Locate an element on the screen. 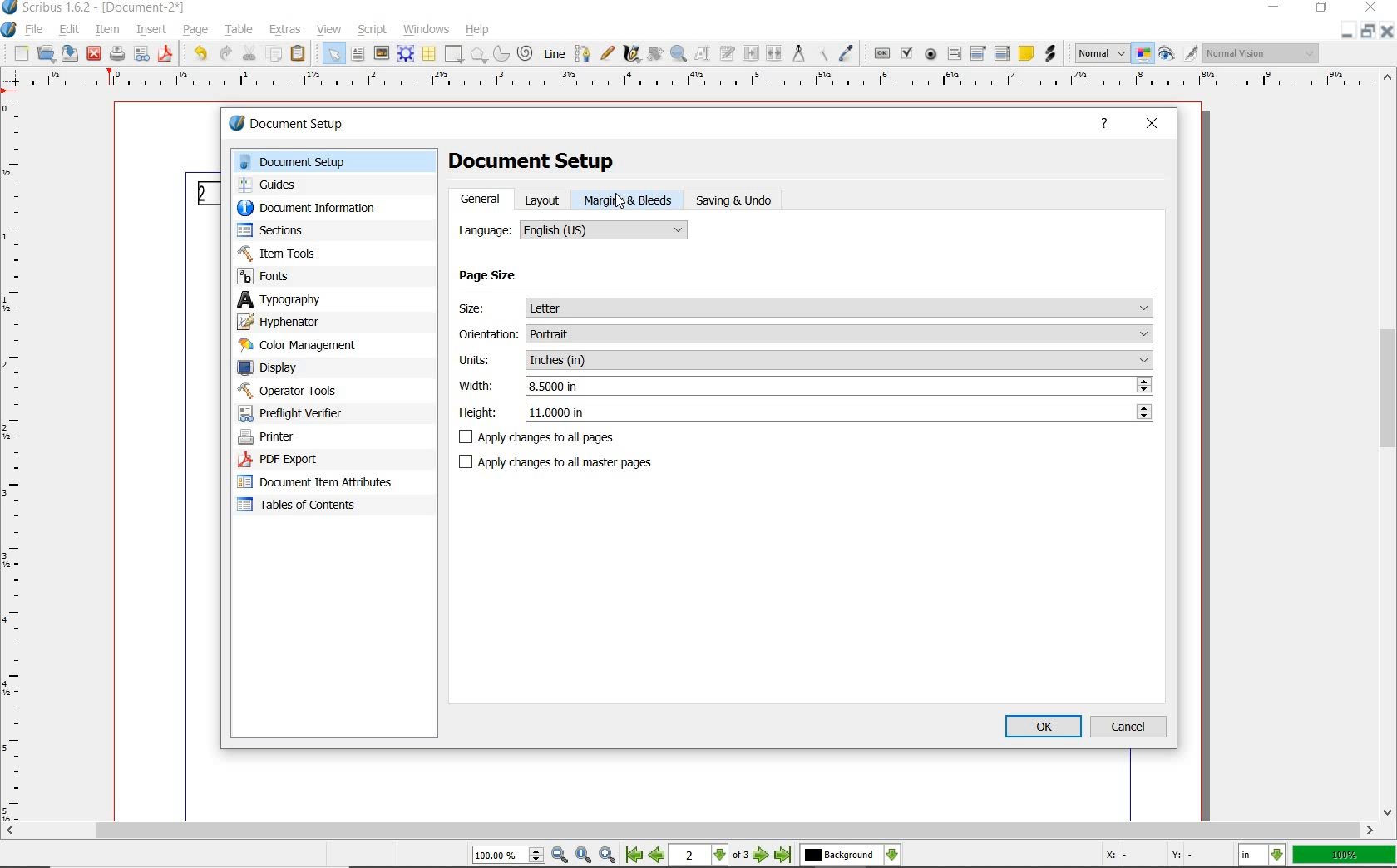 The height and width of the screenshot is (868, 1397). link text frames is located at coordinates (751, 53).